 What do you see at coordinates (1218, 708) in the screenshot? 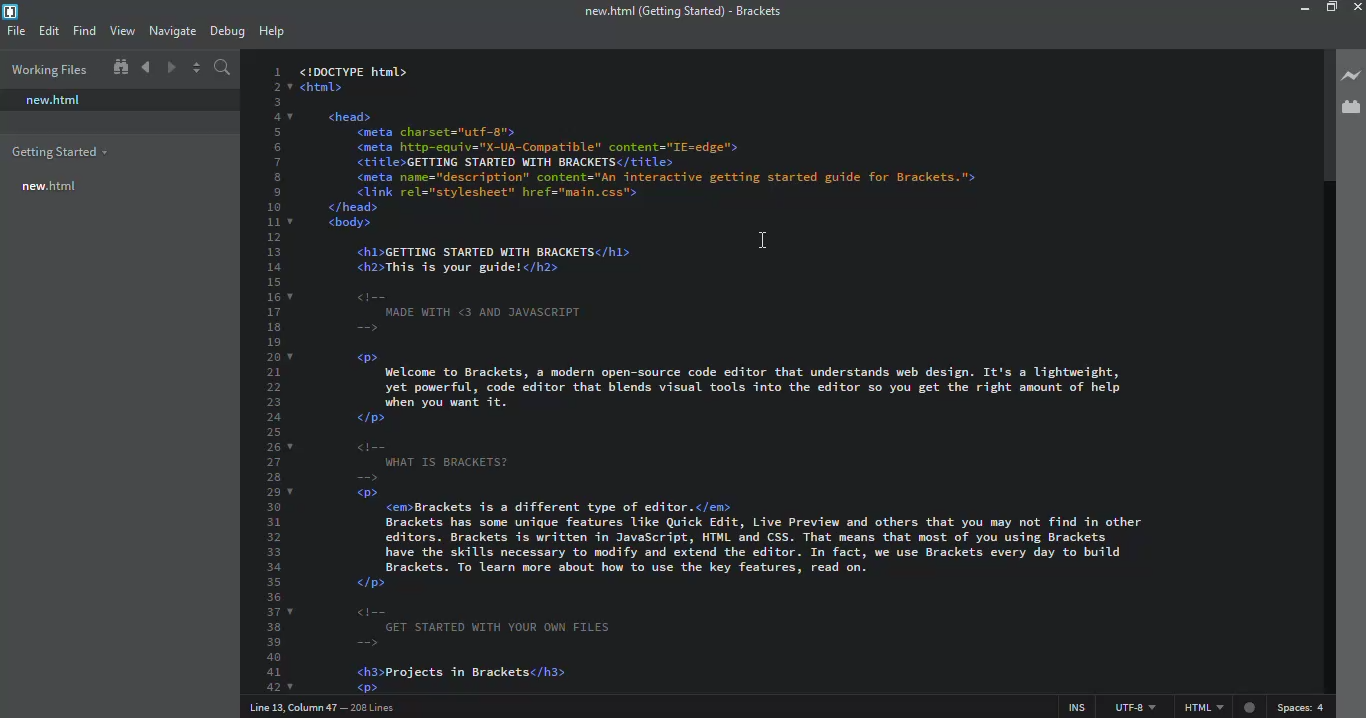
I see `html` at bounding box center [1218, 708].